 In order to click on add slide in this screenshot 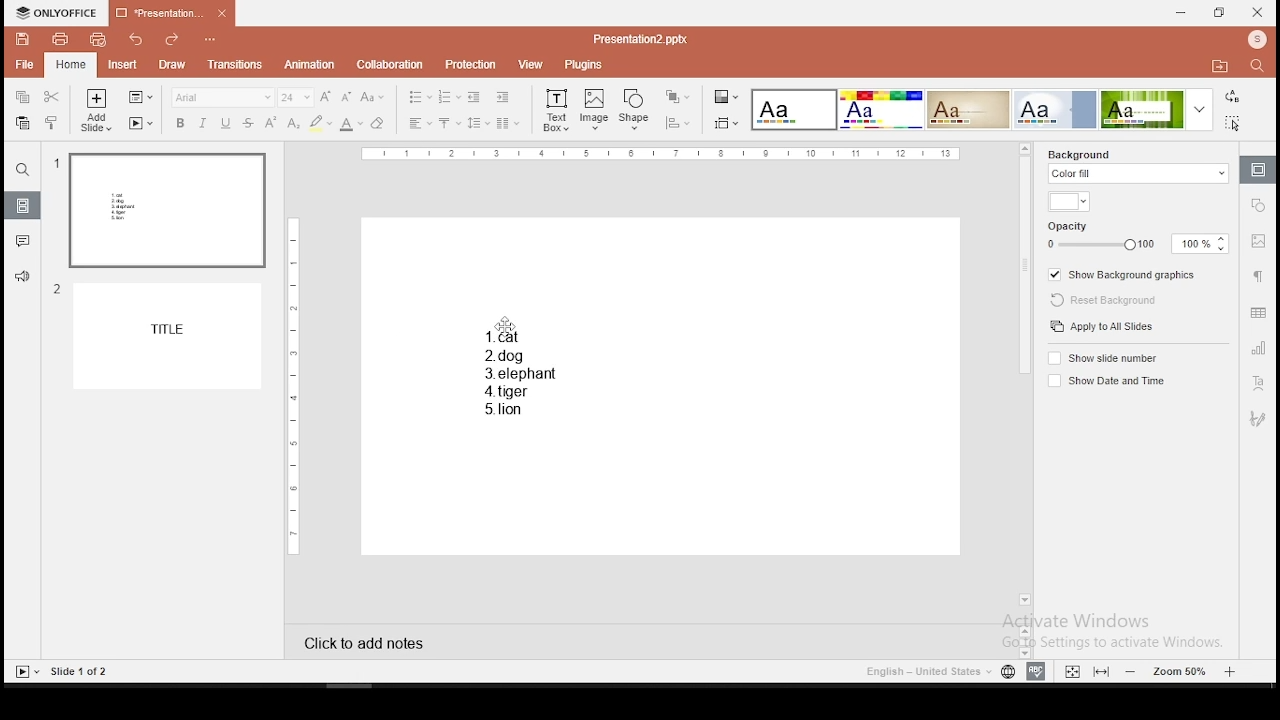, I will do `click(97, 110)`.